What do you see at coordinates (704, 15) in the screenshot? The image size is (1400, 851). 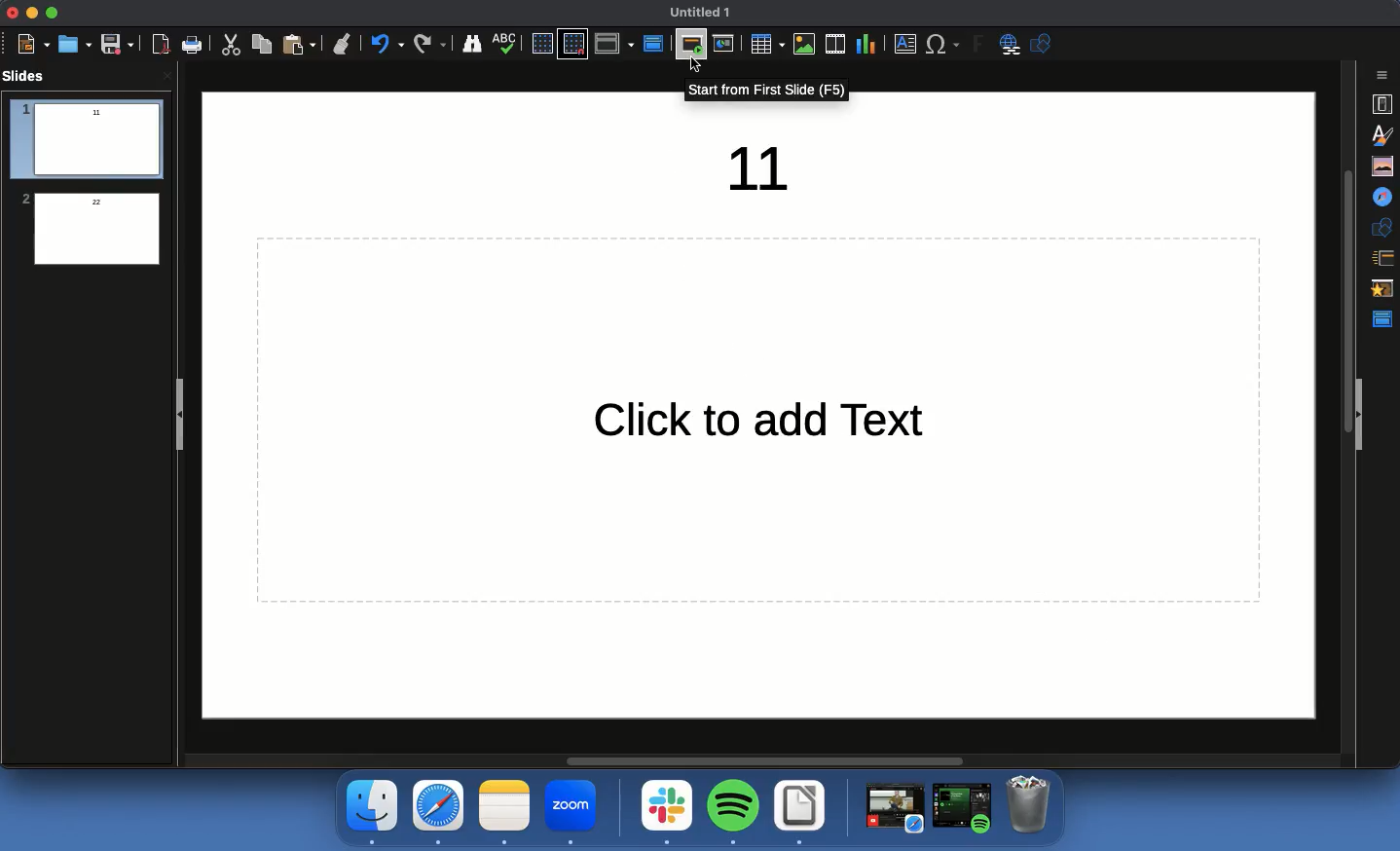 I see `Untitled` at bounding box center [704, 15].